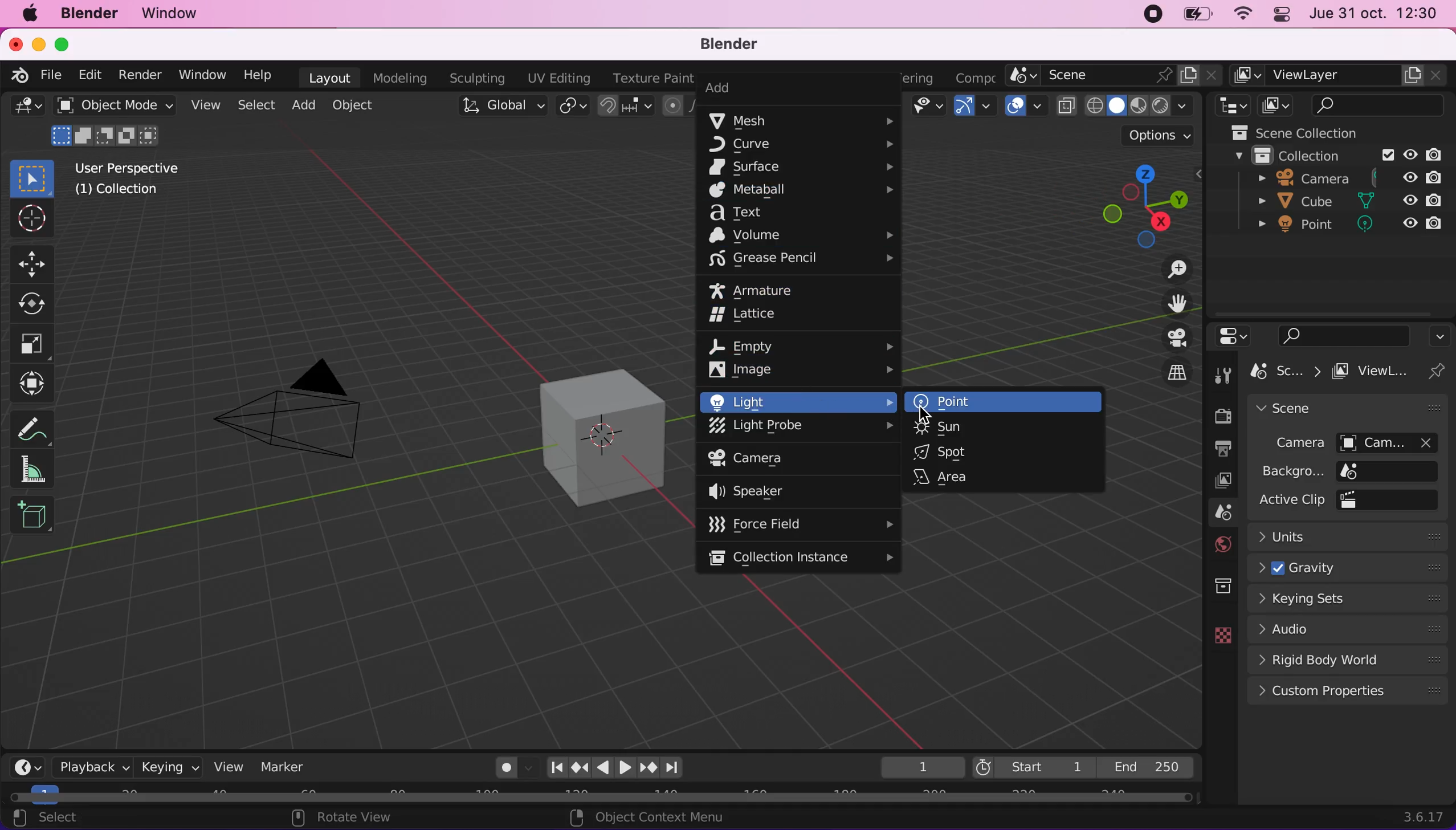  I want to click on 3.6.17, so click(1425, 817).